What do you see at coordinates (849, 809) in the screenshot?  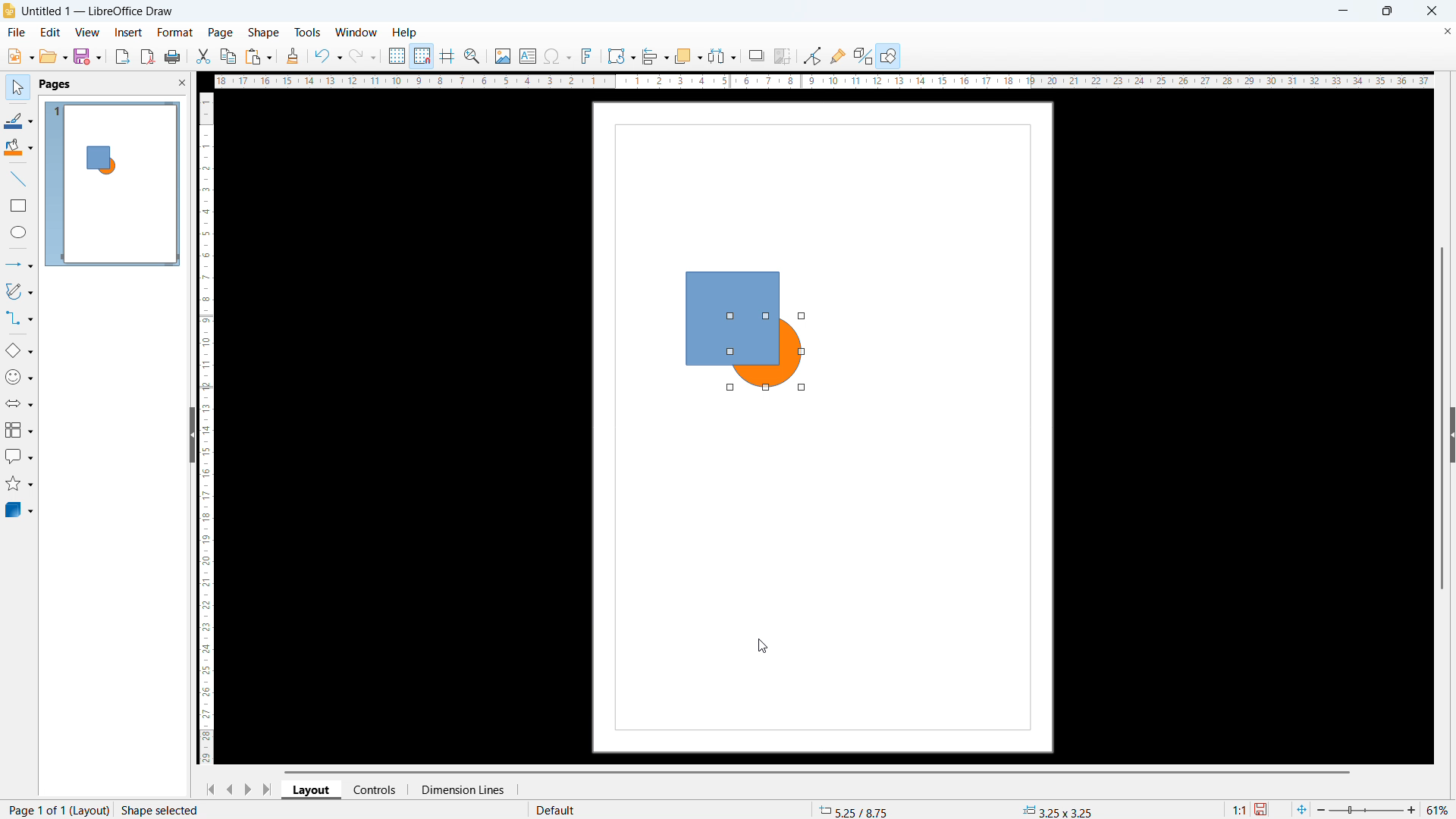 I see `cursor coordinates` at bounding box center [849, 809].